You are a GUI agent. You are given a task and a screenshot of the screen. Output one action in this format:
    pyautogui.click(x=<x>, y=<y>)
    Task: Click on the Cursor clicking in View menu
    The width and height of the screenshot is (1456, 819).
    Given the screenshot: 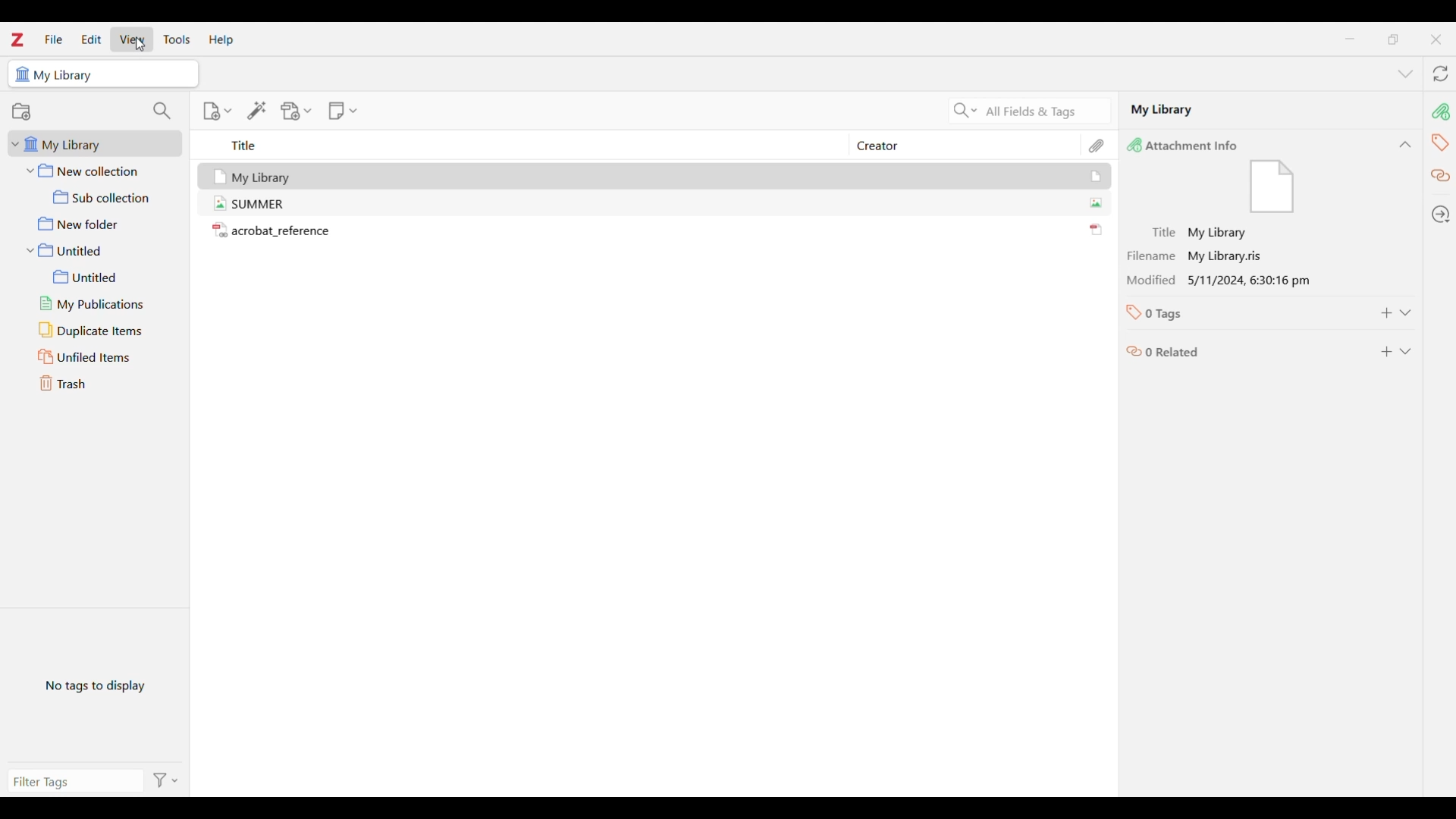 What is the action you would take?
    pyautogui.click(x=137, y=45)
    